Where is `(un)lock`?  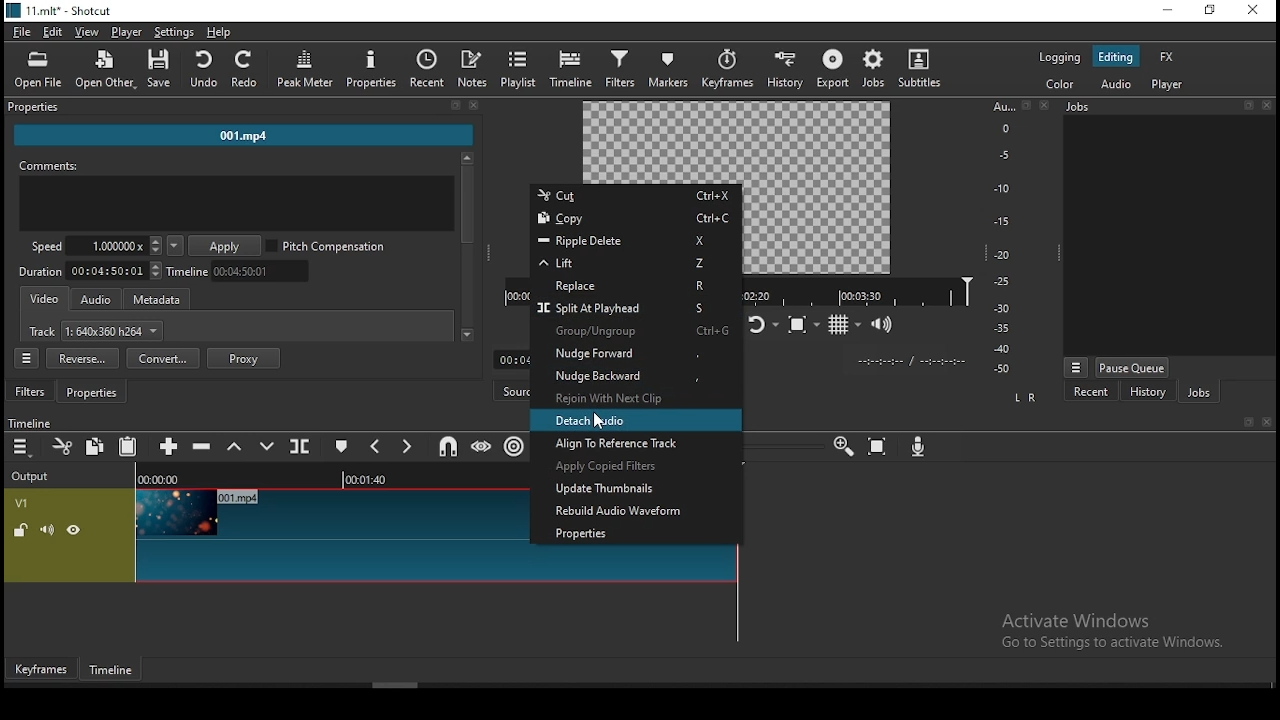 (un)lock is located at coordinates (21, 529).